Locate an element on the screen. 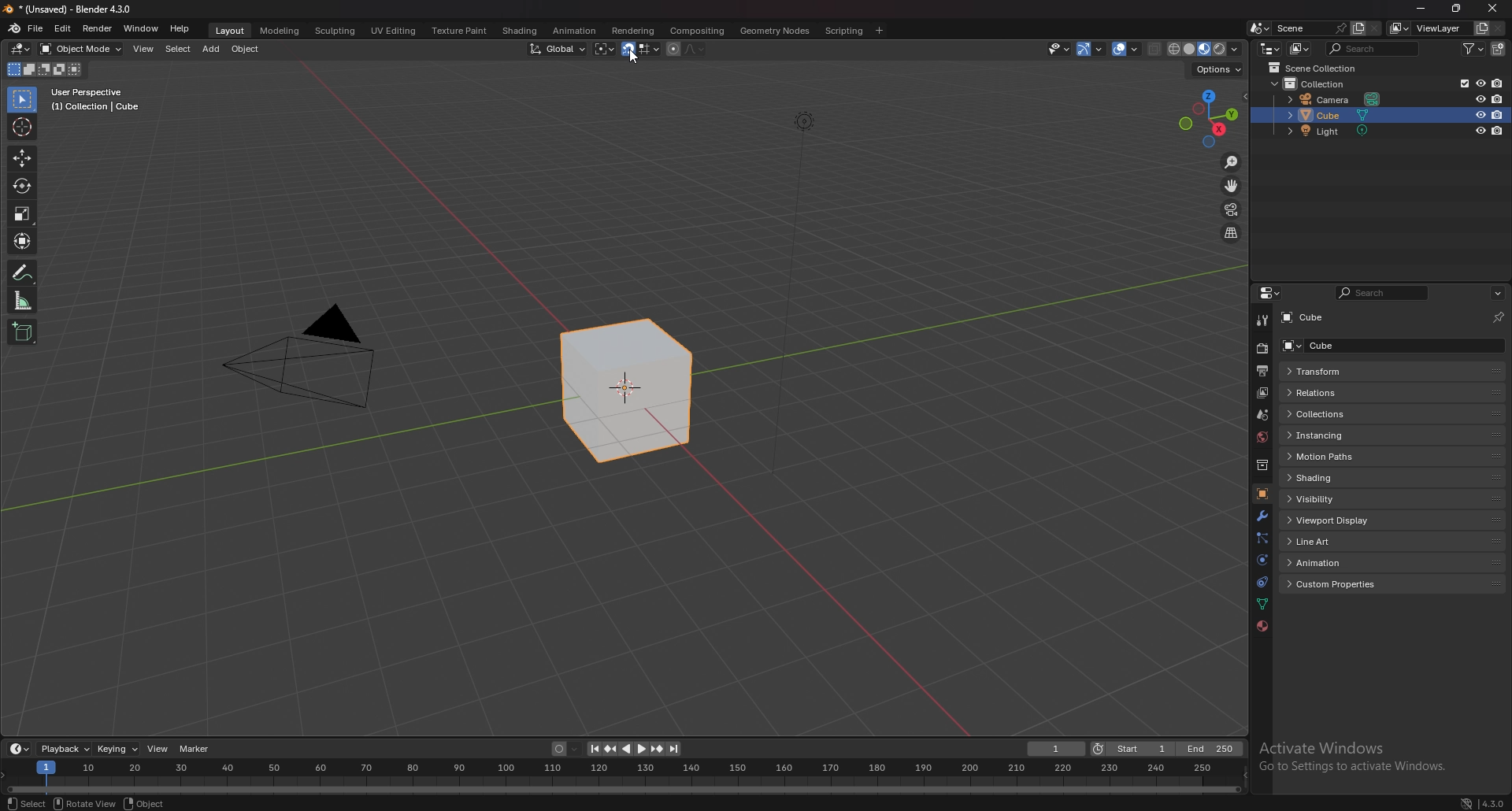 This screenshot has height=811, width=1512. add cube is located at coordinates (22, 331).